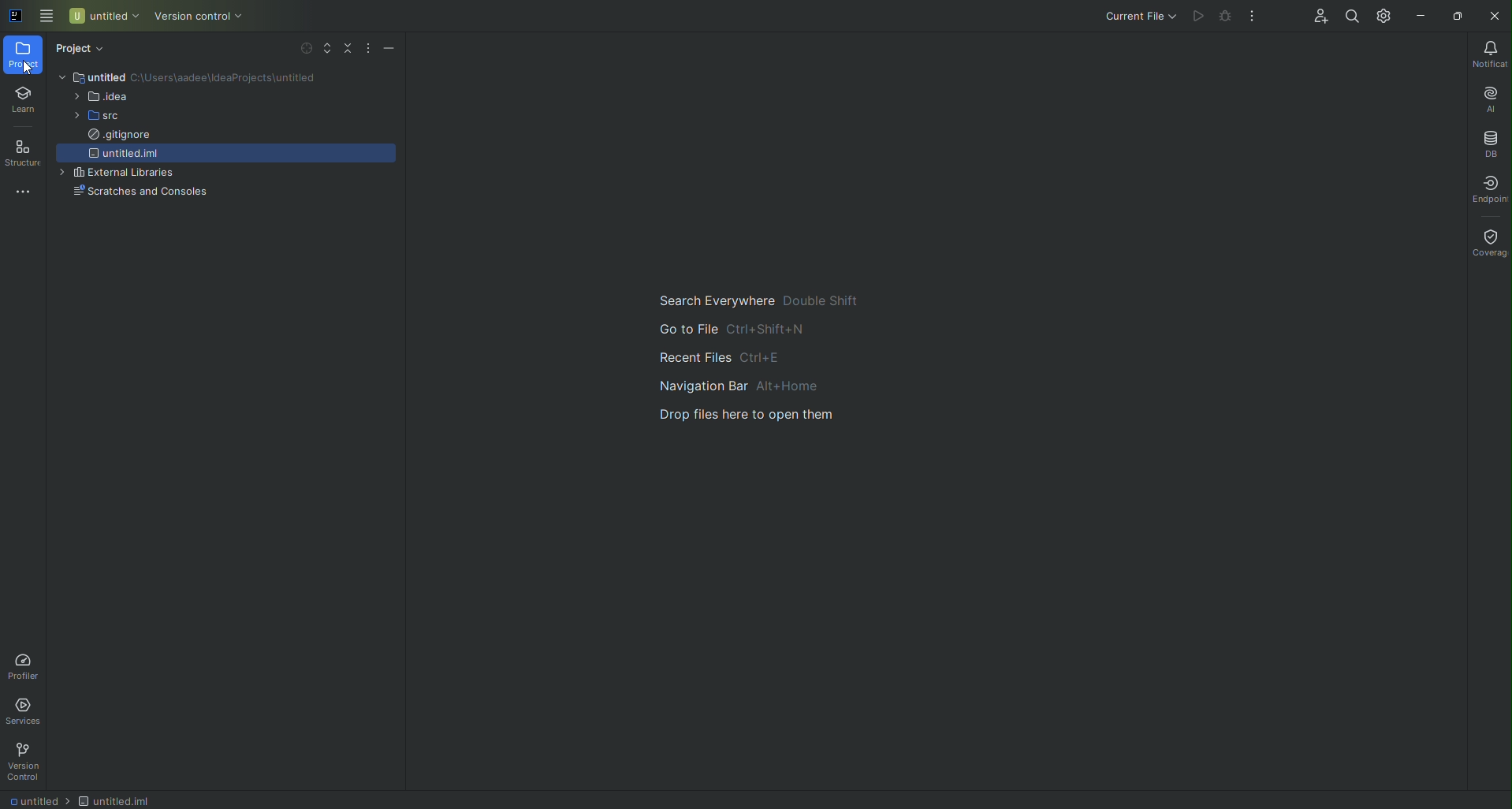 The width and height of the screenshot is (1512, 809). What do you see at coordinates (1134, 17) in the screenshot?
I see `Current File` at bounding box center [1134, 17].